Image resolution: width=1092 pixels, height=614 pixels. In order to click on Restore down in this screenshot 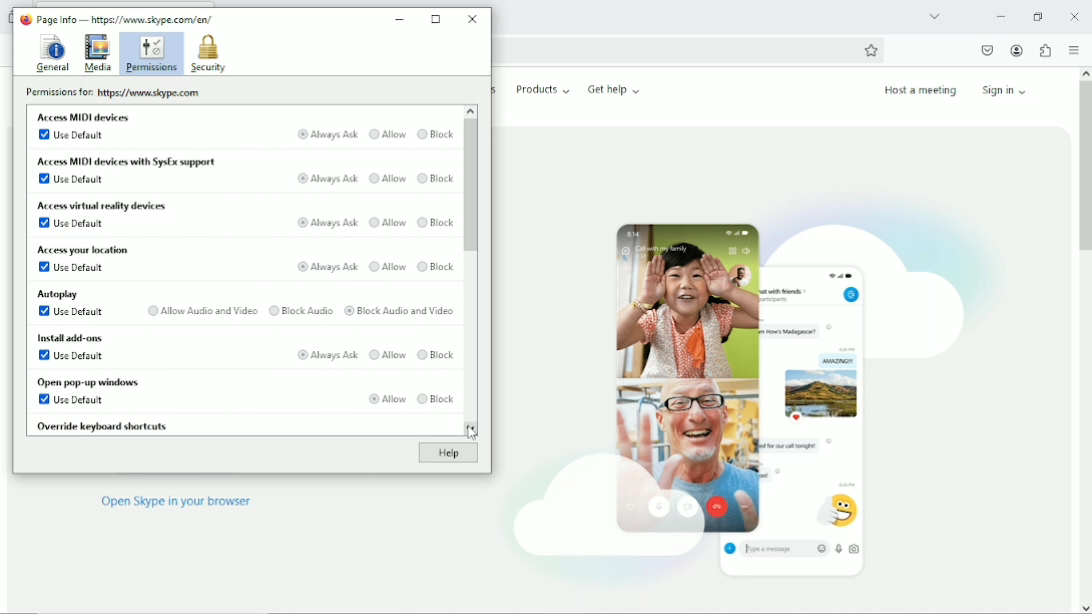, I will do `click(1037, 16)`.